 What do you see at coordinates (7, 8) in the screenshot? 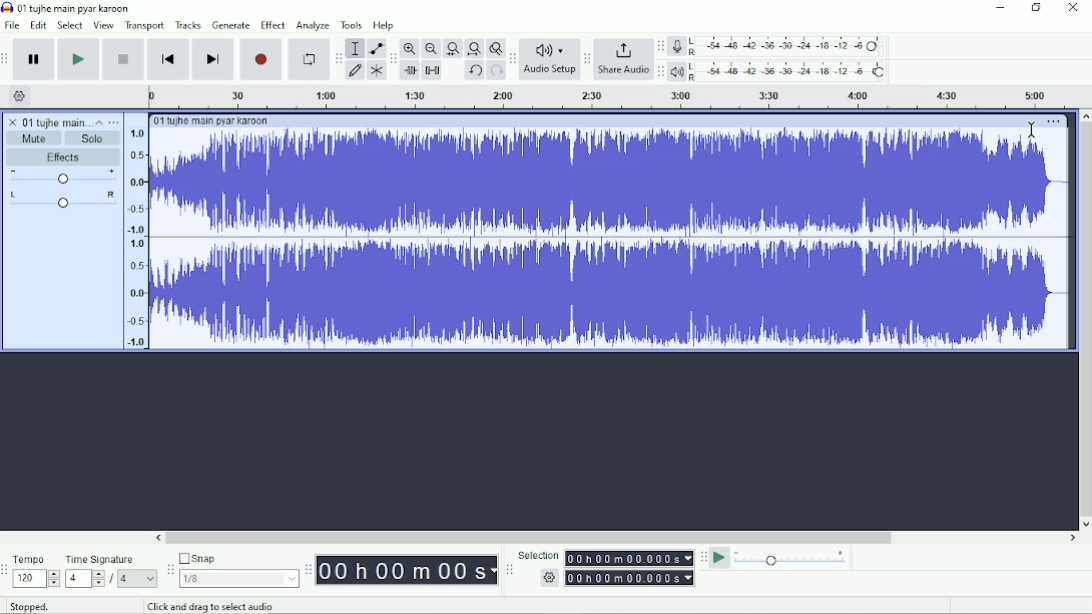
I see `Audacity logo` at bounding box center [7, 8].